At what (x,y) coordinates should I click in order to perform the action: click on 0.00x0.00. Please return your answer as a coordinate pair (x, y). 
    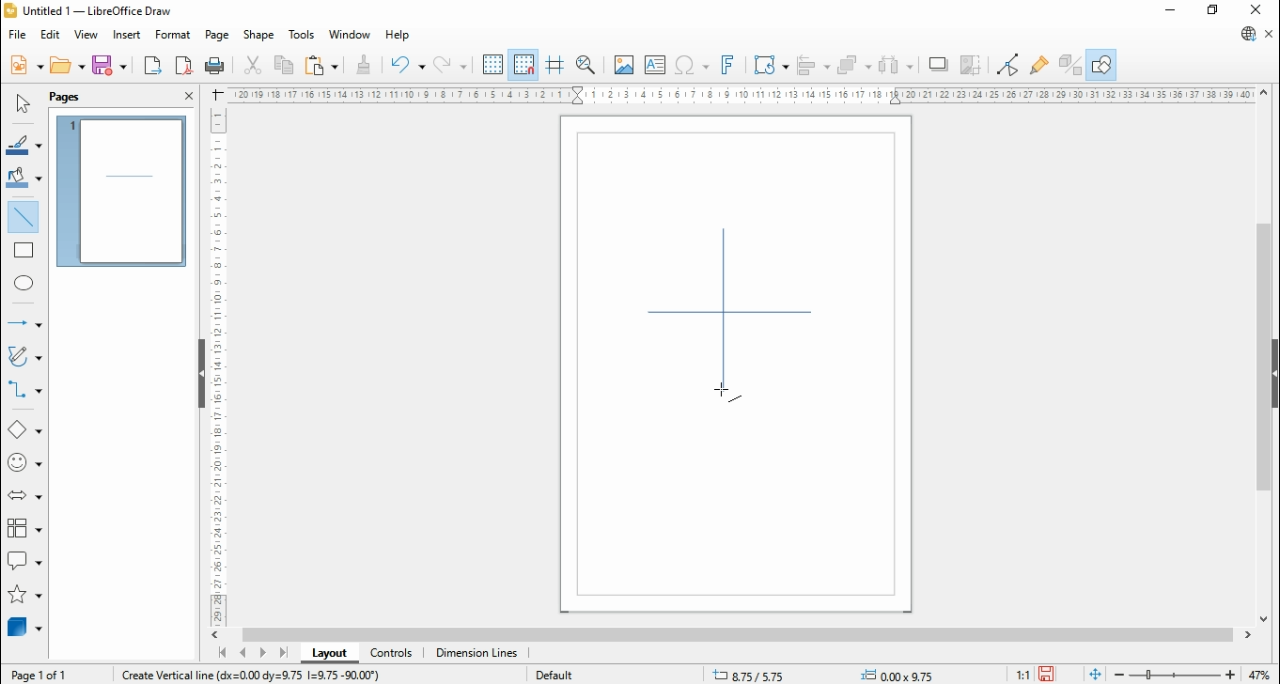
    Looking at the image, I should click on (900, 675).